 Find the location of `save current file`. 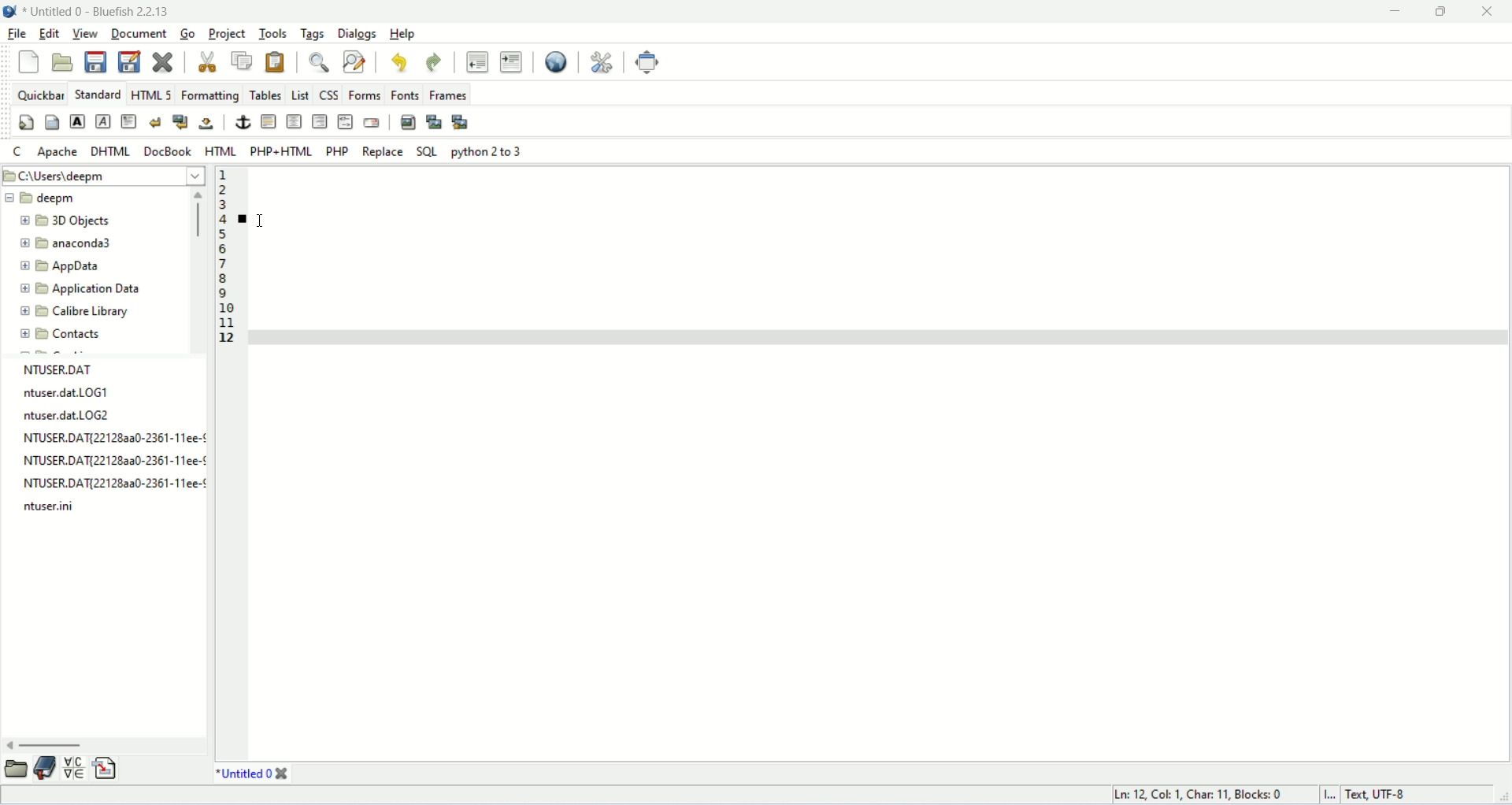

save current file is located at coordinates (95, 61).